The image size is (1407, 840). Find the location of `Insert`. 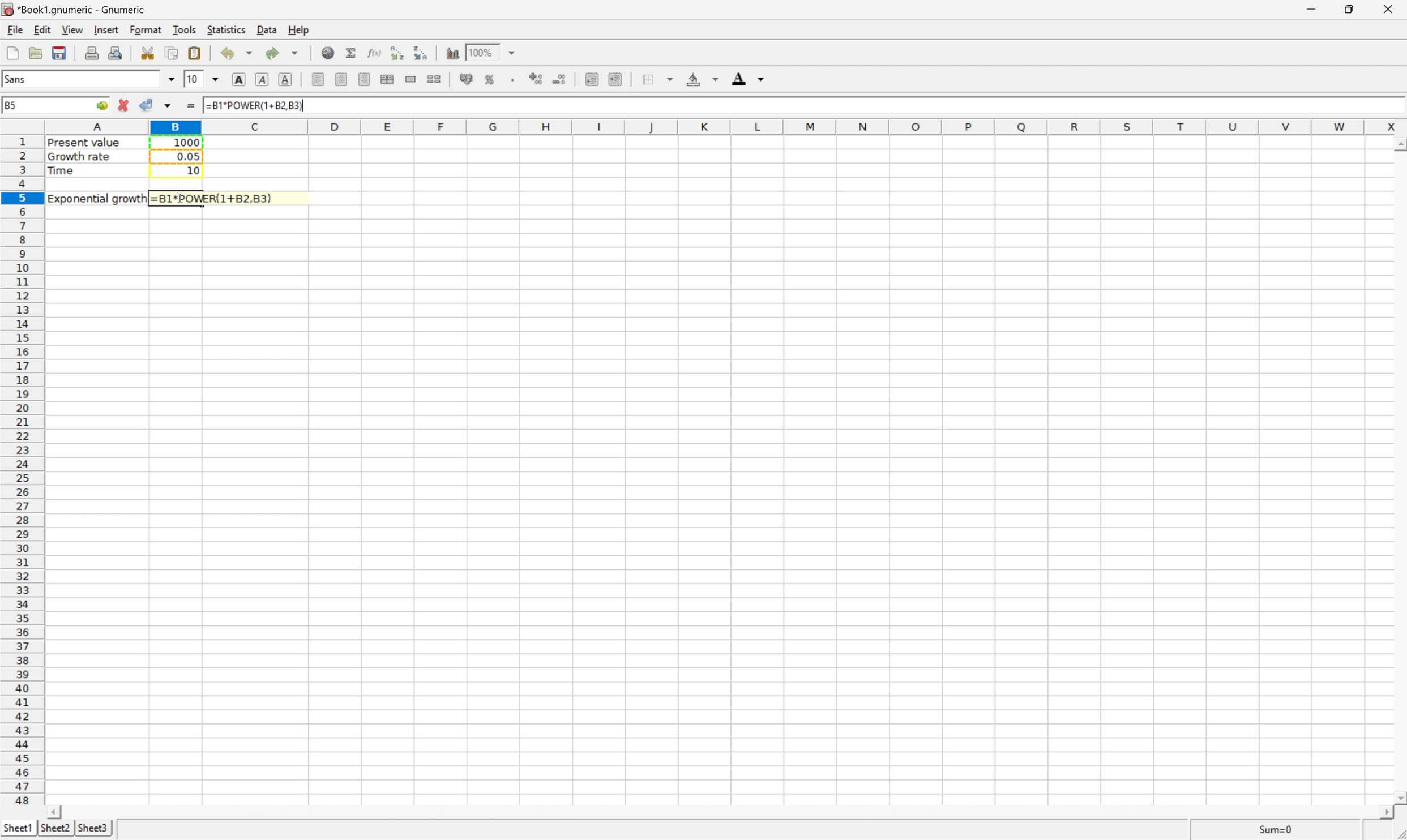

Insert is located at coordinates (106, 29).